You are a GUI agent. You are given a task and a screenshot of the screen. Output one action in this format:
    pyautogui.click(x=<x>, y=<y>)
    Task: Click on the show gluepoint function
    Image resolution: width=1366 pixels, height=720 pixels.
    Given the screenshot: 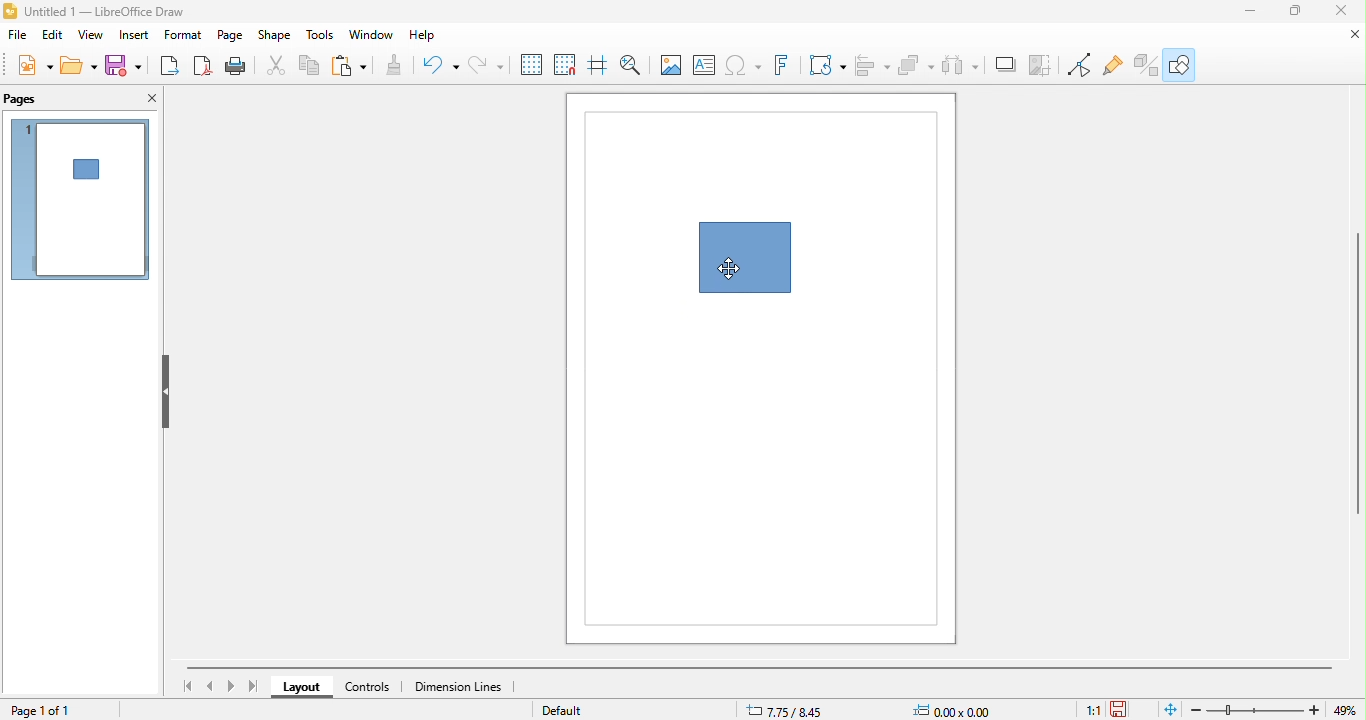 What is the action you would take?
    pyautogui.click(x=1111, y=66)
    